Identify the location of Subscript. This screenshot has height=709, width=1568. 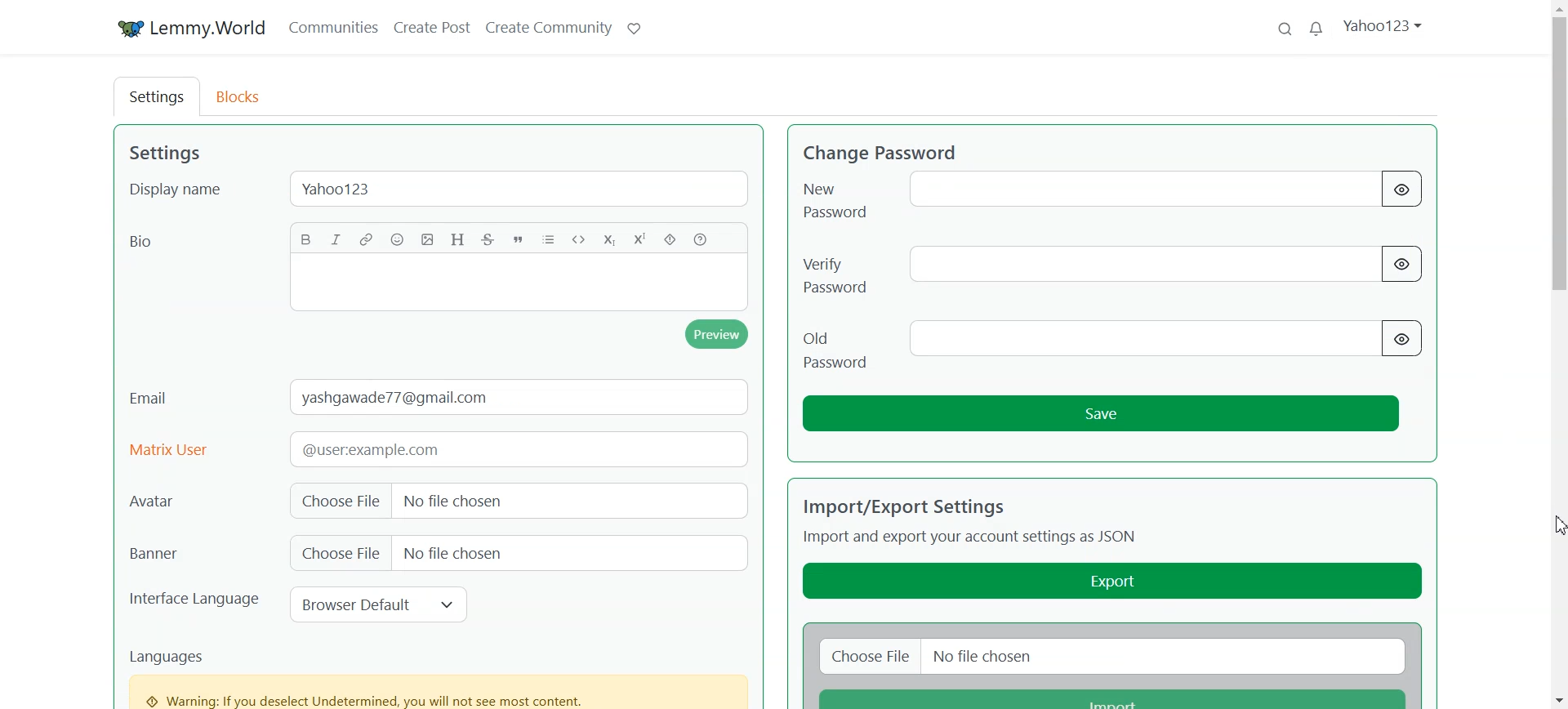
(608, 238).